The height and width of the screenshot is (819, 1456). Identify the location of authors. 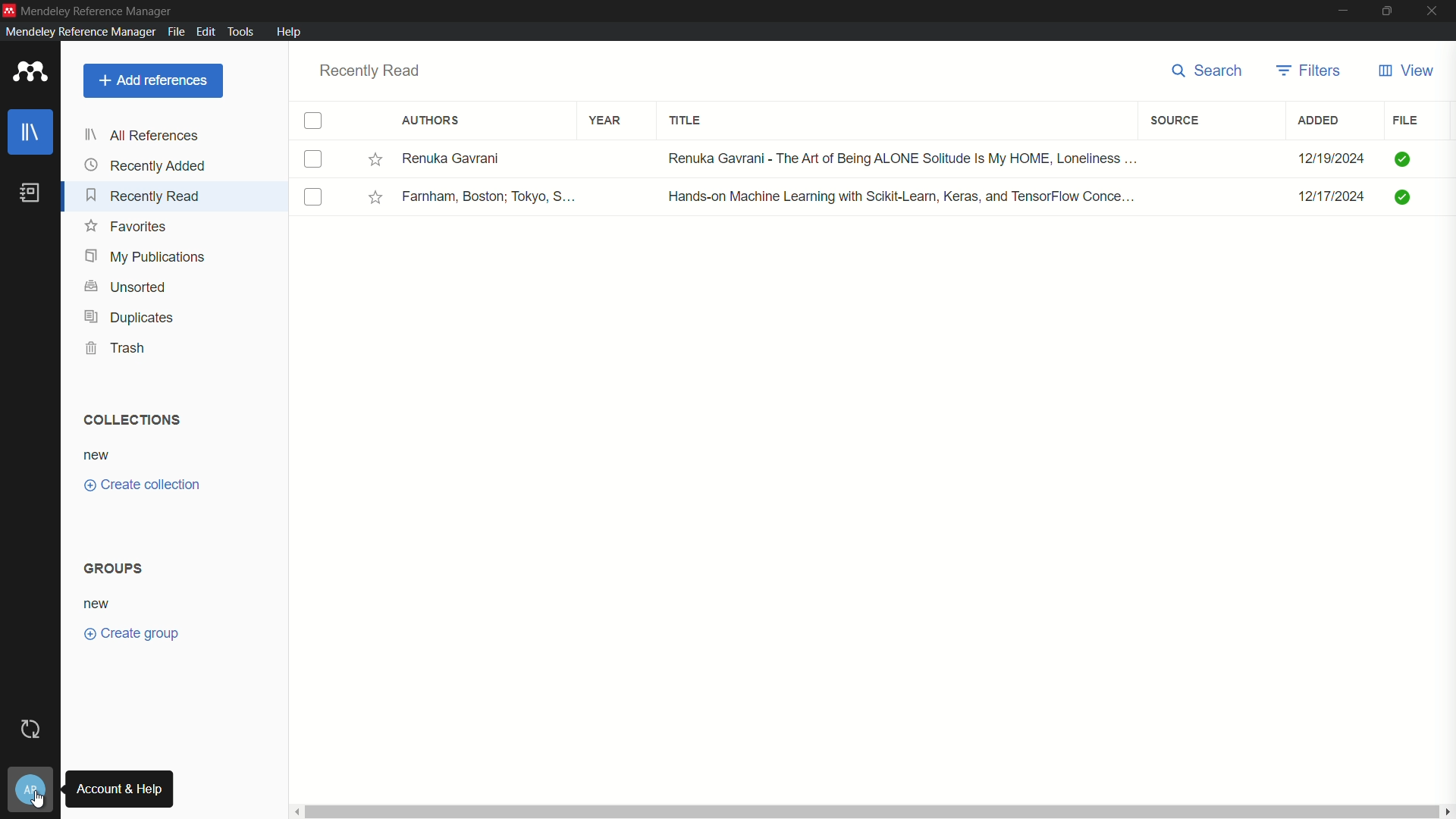
(431, 120).